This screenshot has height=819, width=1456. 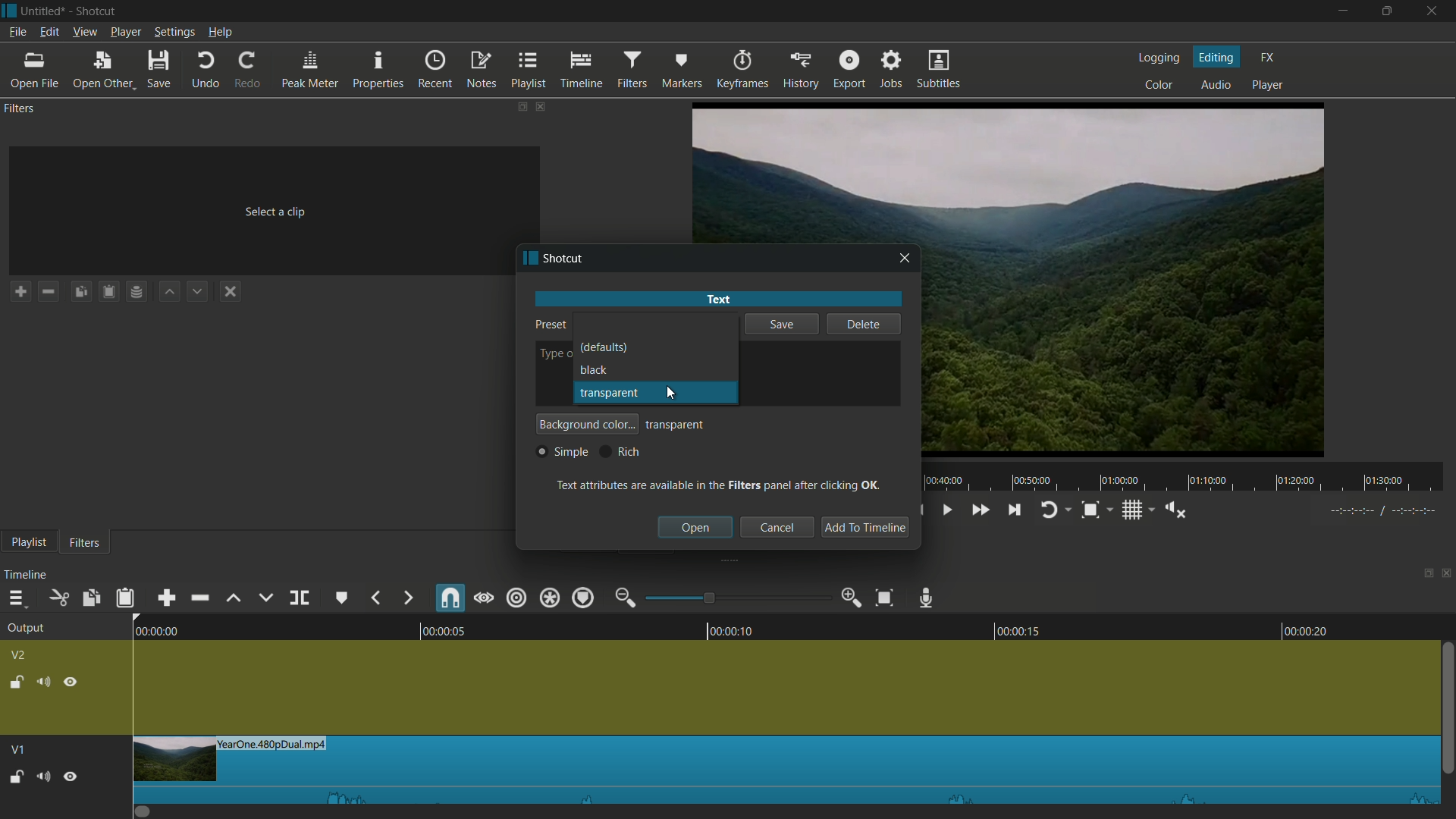 I want to click on imported file in timeline, so click(x=786, y=770).